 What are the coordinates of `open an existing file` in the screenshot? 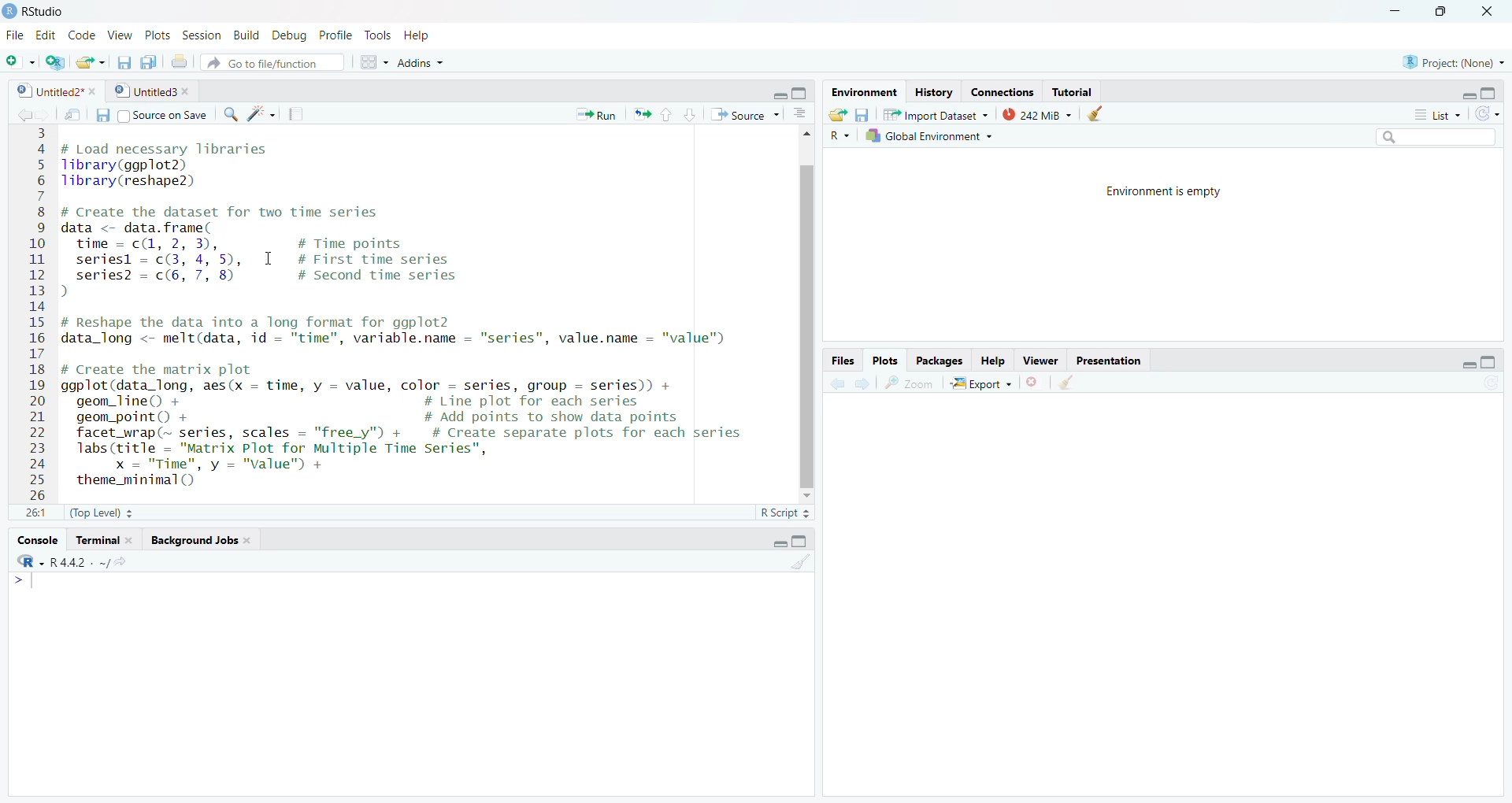 It's located at (91, 61).